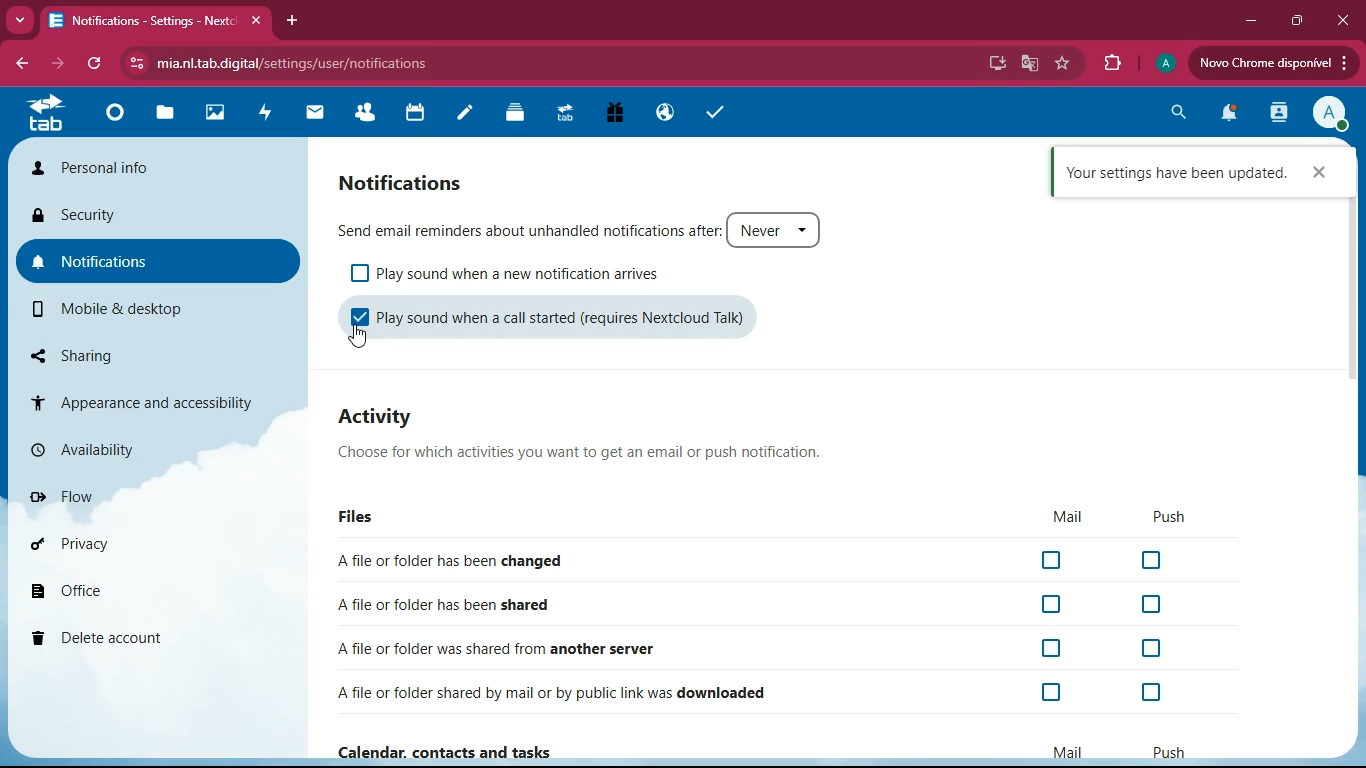 Image resolution: width=1366 pixels, height=768 pixels. Describe the element at coordinates (86, 449) in the screenshot. I see `availability` at that location.